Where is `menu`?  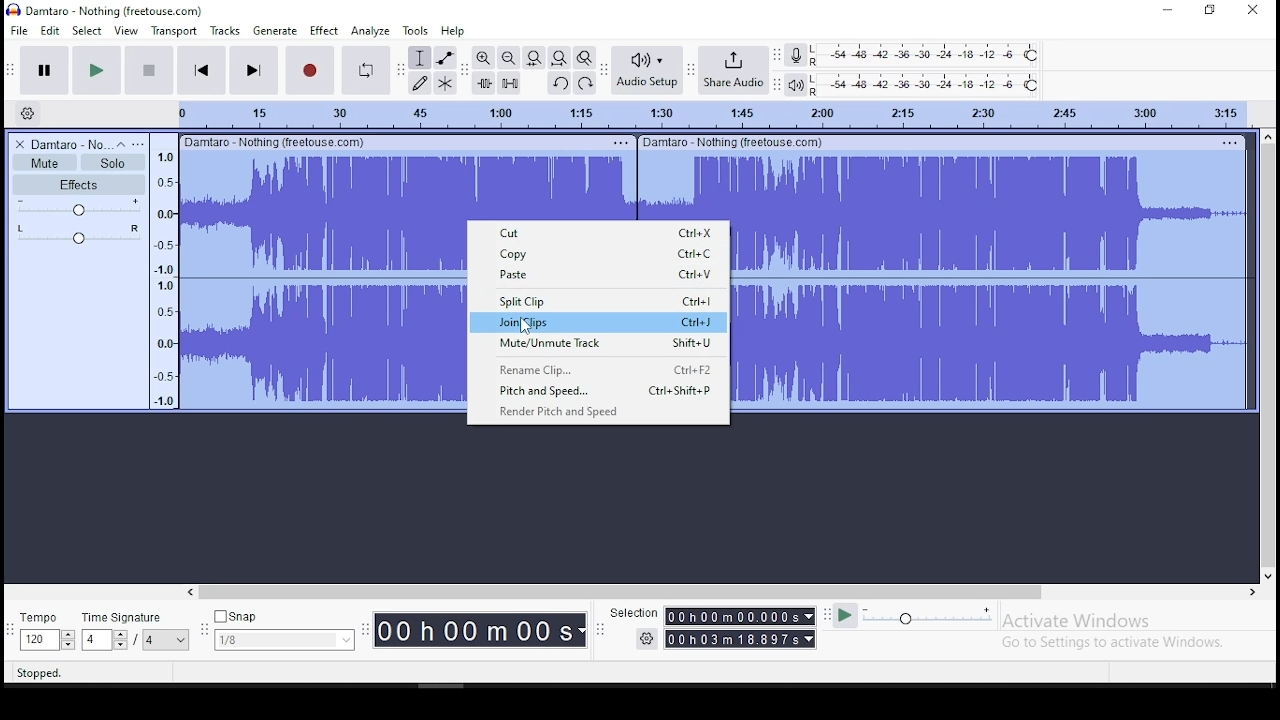
menu is located at coordinates (1227, 142).